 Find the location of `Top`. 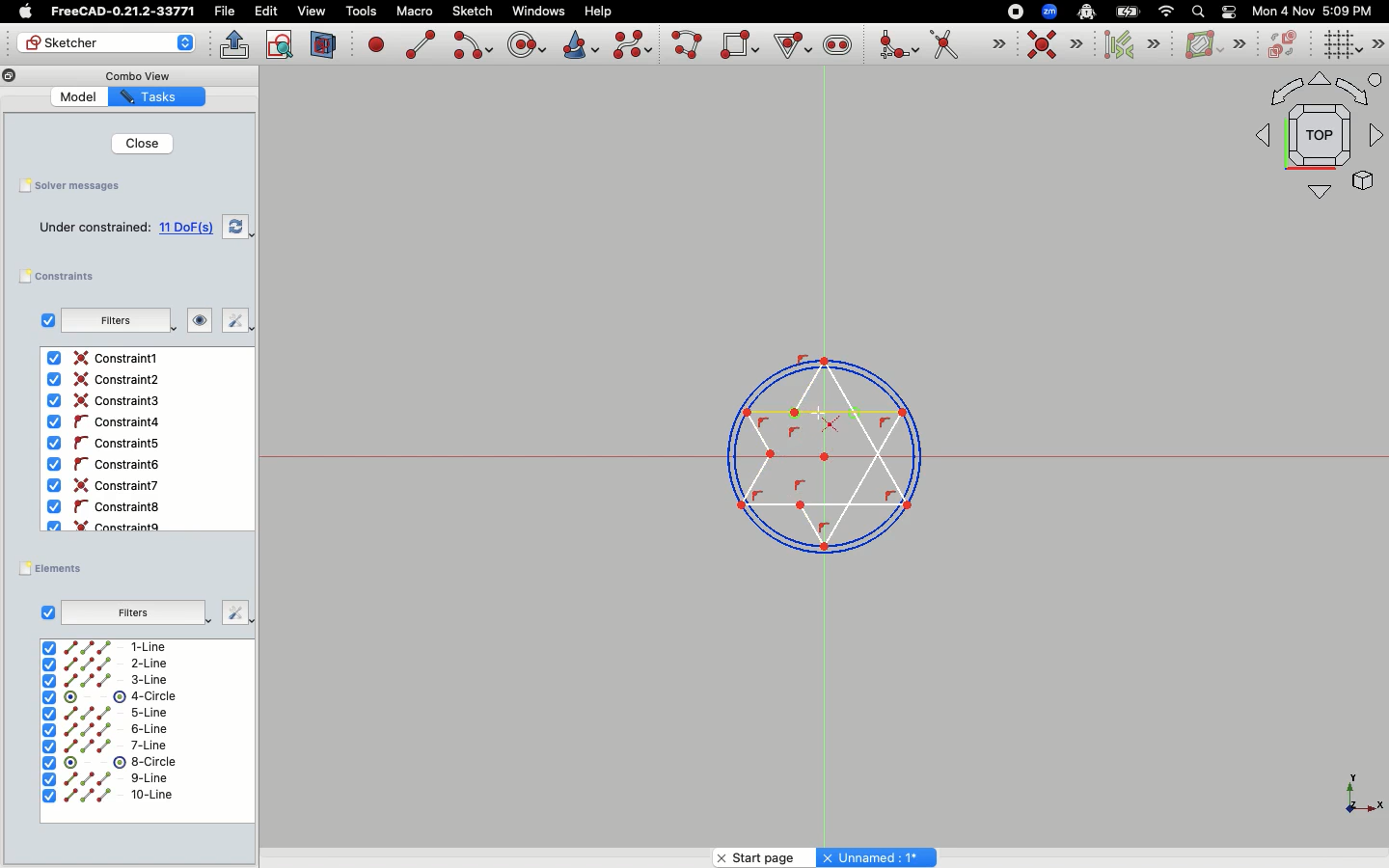

Top is located at coordinates (1310, 140).